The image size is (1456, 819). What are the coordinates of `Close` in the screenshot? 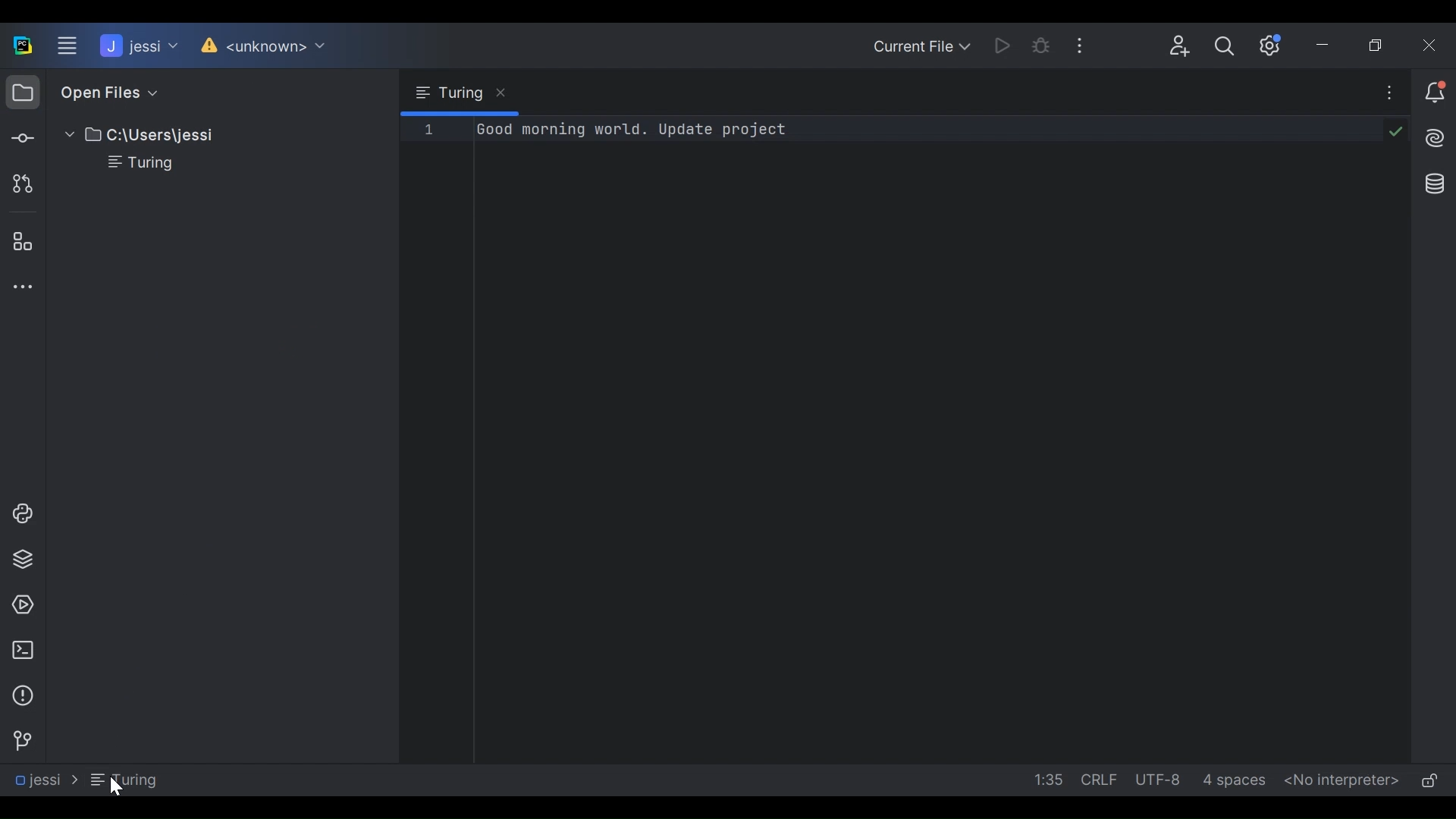 It's located at (1430, 45).